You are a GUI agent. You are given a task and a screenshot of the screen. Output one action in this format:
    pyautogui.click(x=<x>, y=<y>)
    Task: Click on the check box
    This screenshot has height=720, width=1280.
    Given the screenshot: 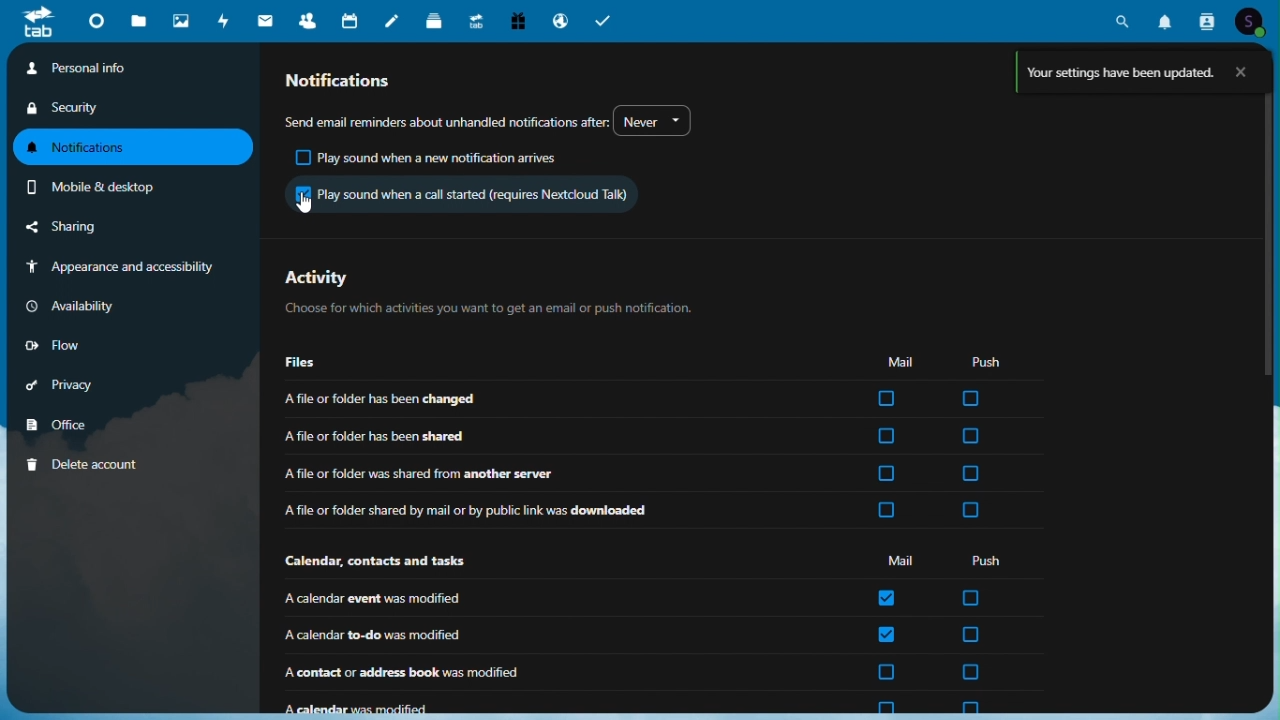 What is the action you would take?
    pyautogui.click(x=886, y=672)
    